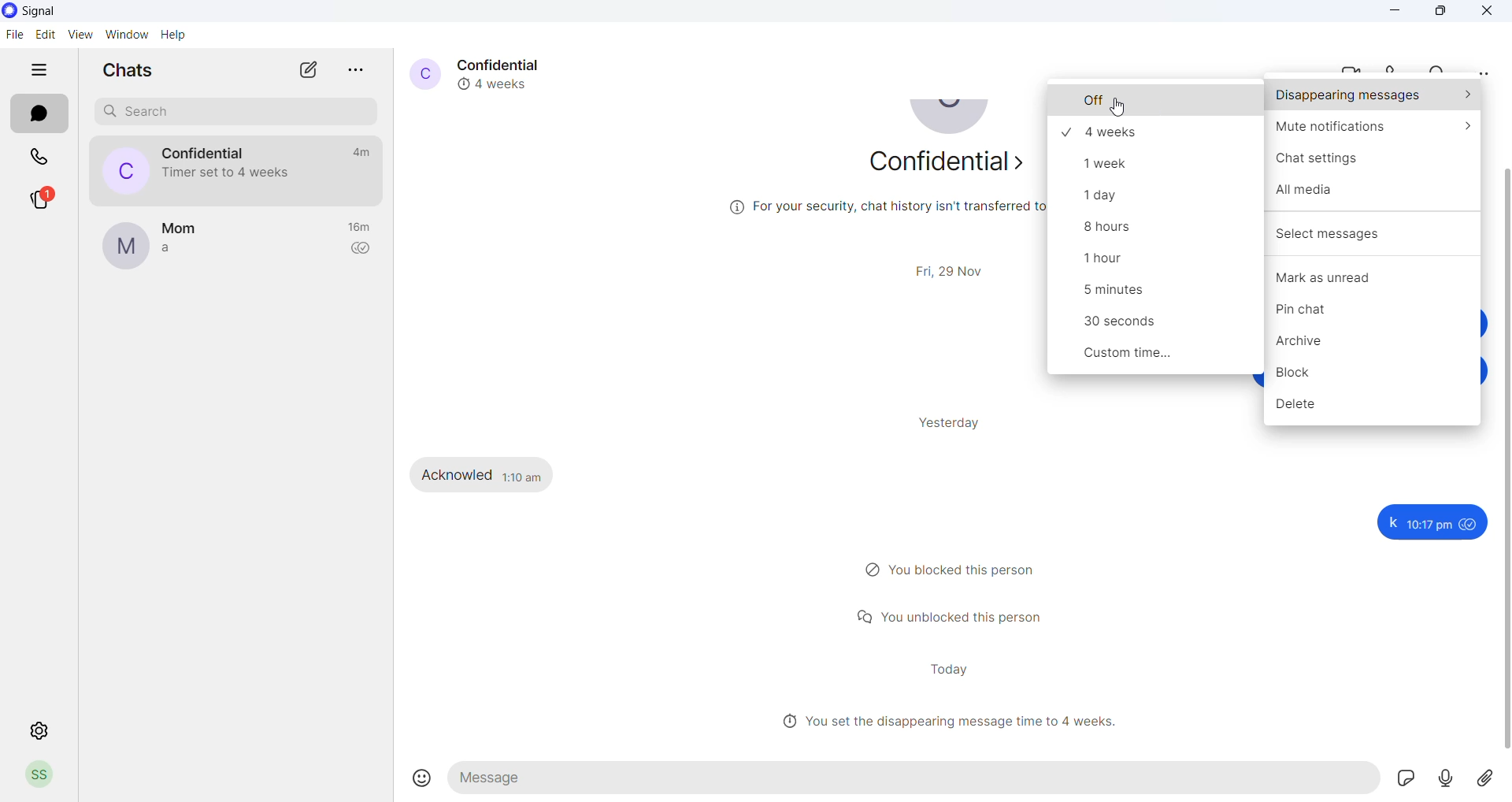 The height and width of the screenshot is (802, 1512). What do you see at coordinates (1161, 198) in the screenshot?
I see `disappearing messages timeframe` at bounding box center [1161, 198].